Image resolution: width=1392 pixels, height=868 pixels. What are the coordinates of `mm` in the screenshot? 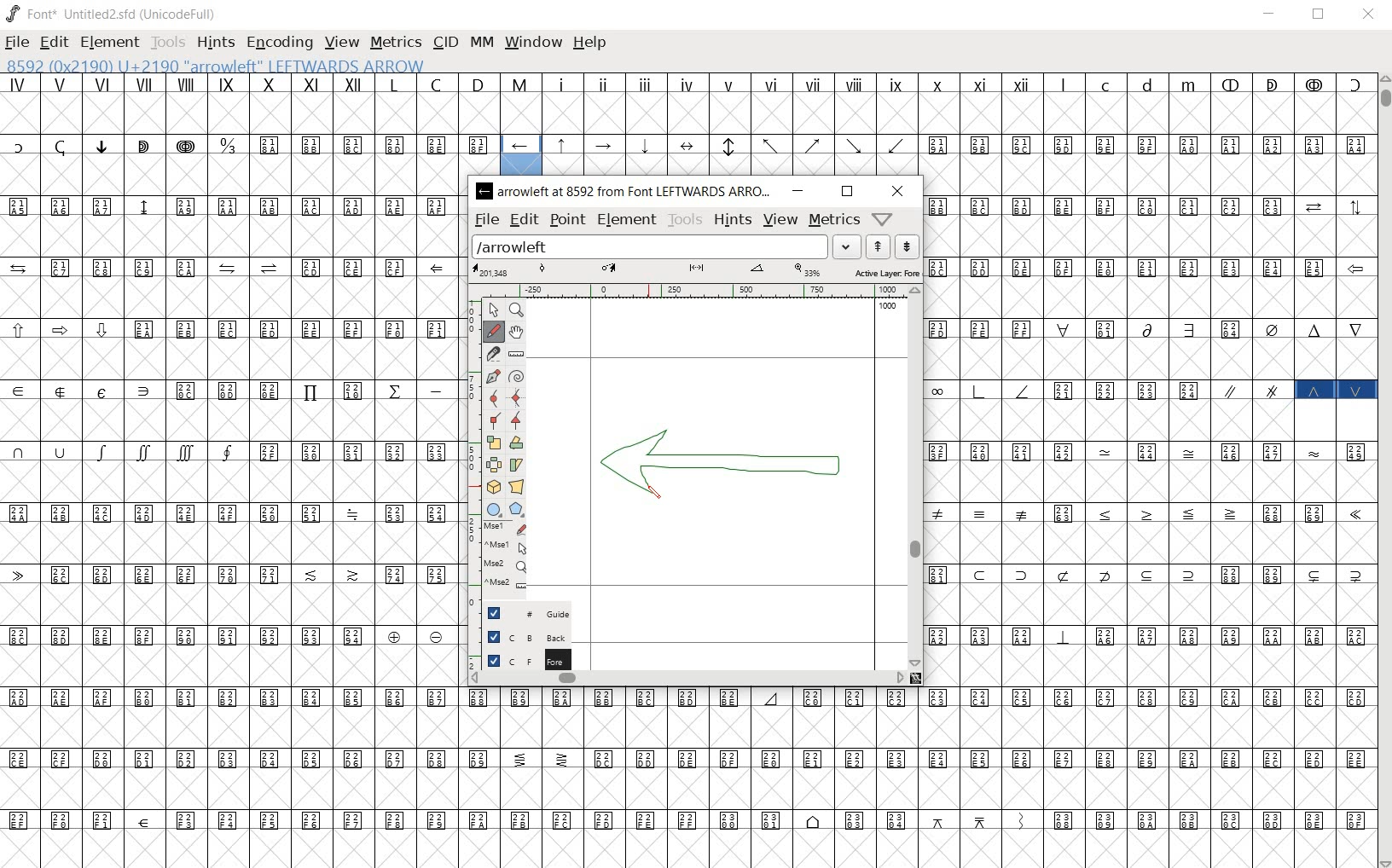 It's located at (482, 42).